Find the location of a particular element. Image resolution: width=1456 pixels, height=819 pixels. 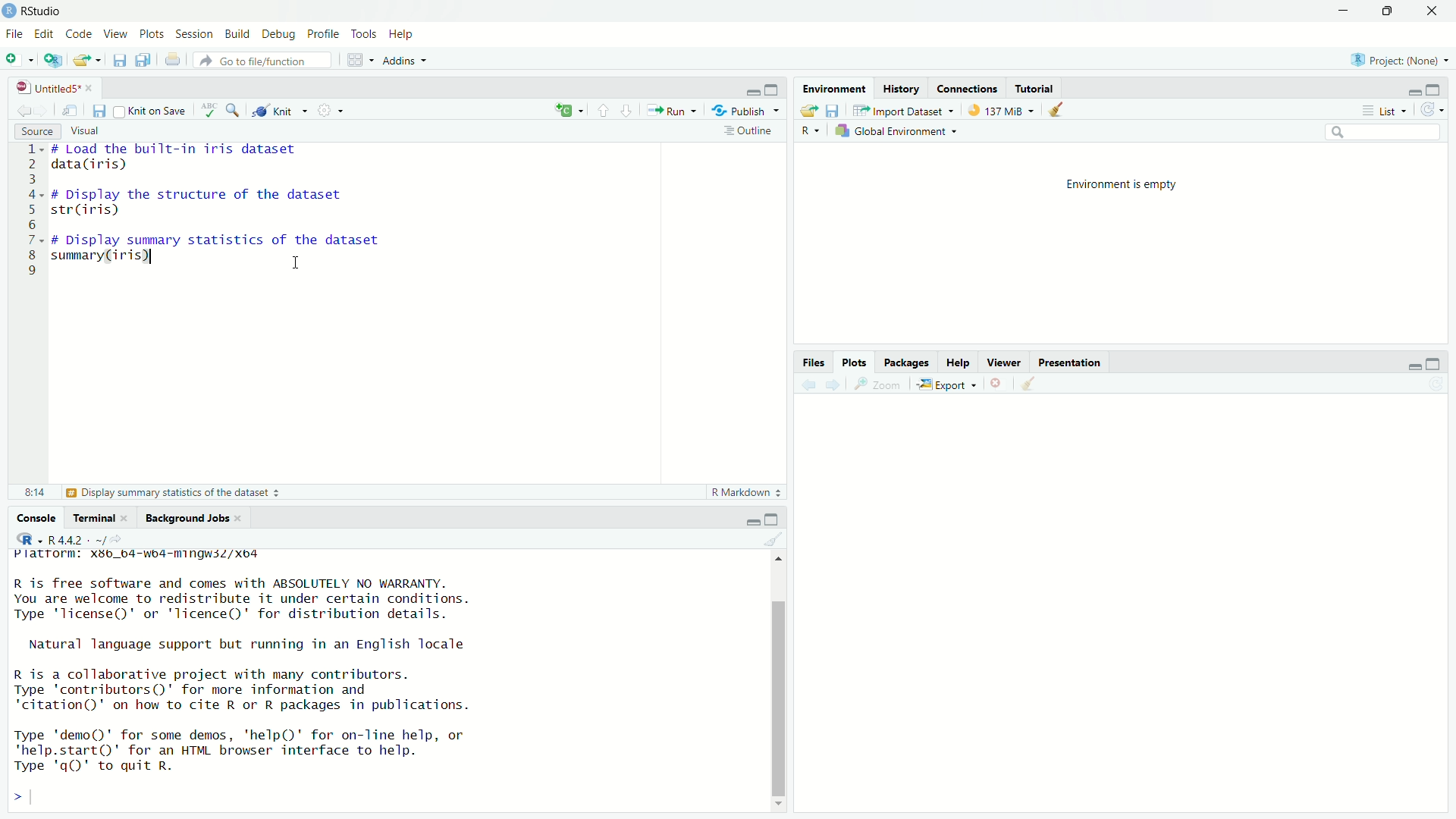

Full height is located at coordinates (772, 89).